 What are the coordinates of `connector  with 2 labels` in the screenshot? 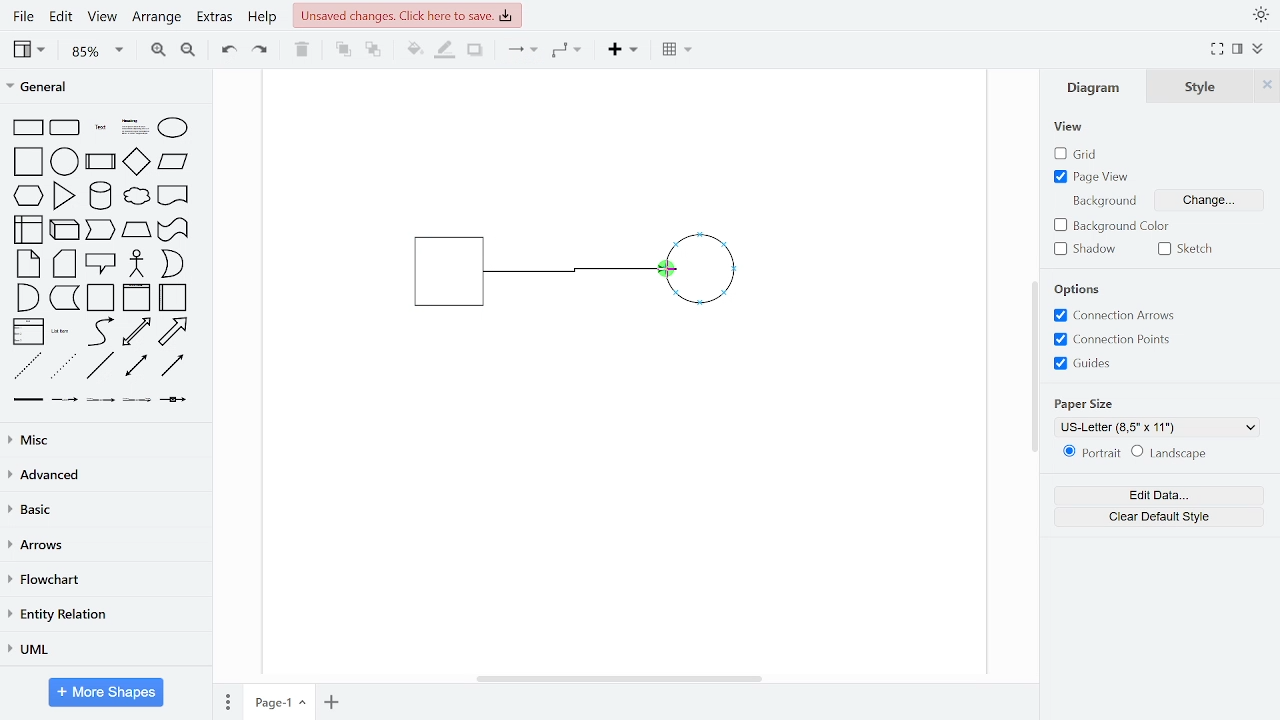 It's located at (102, 400).